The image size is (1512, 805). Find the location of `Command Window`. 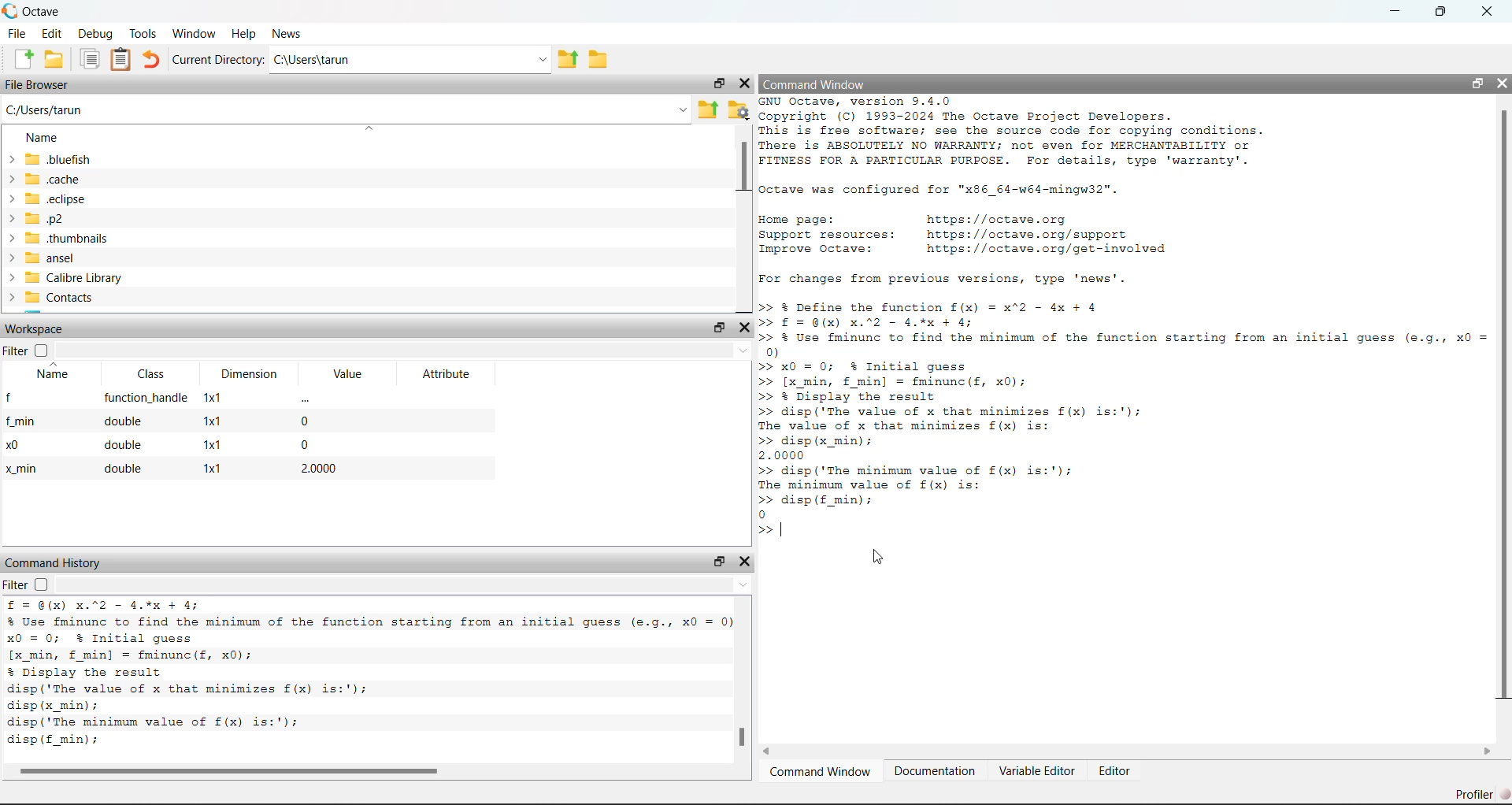

Command Window is located at coordinates (817, 83).